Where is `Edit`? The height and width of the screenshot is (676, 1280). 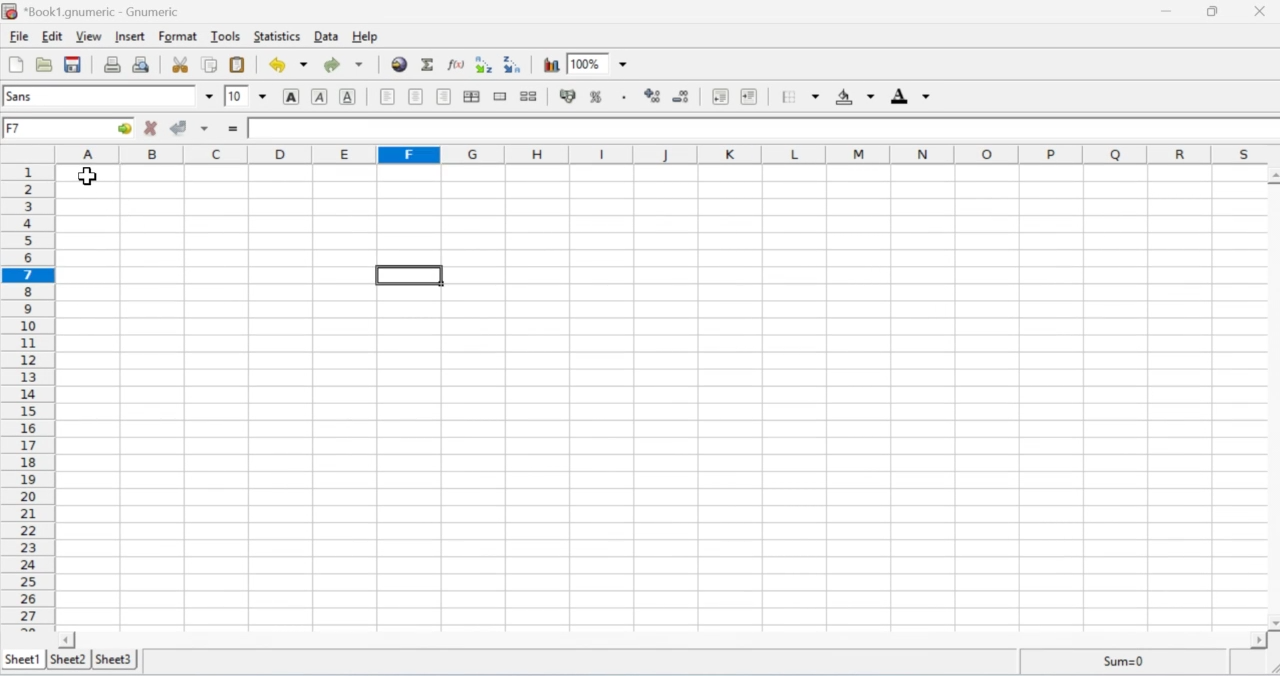
Edit is located at coordinates (53, 35).